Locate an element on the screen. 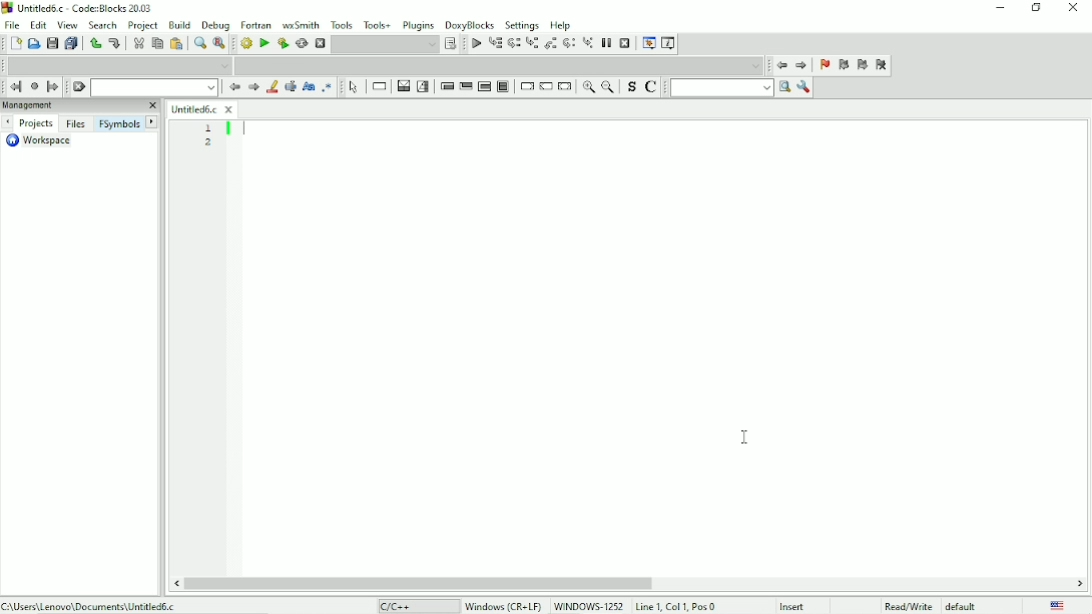  Step into instruction is located at coordinates (588, 44).